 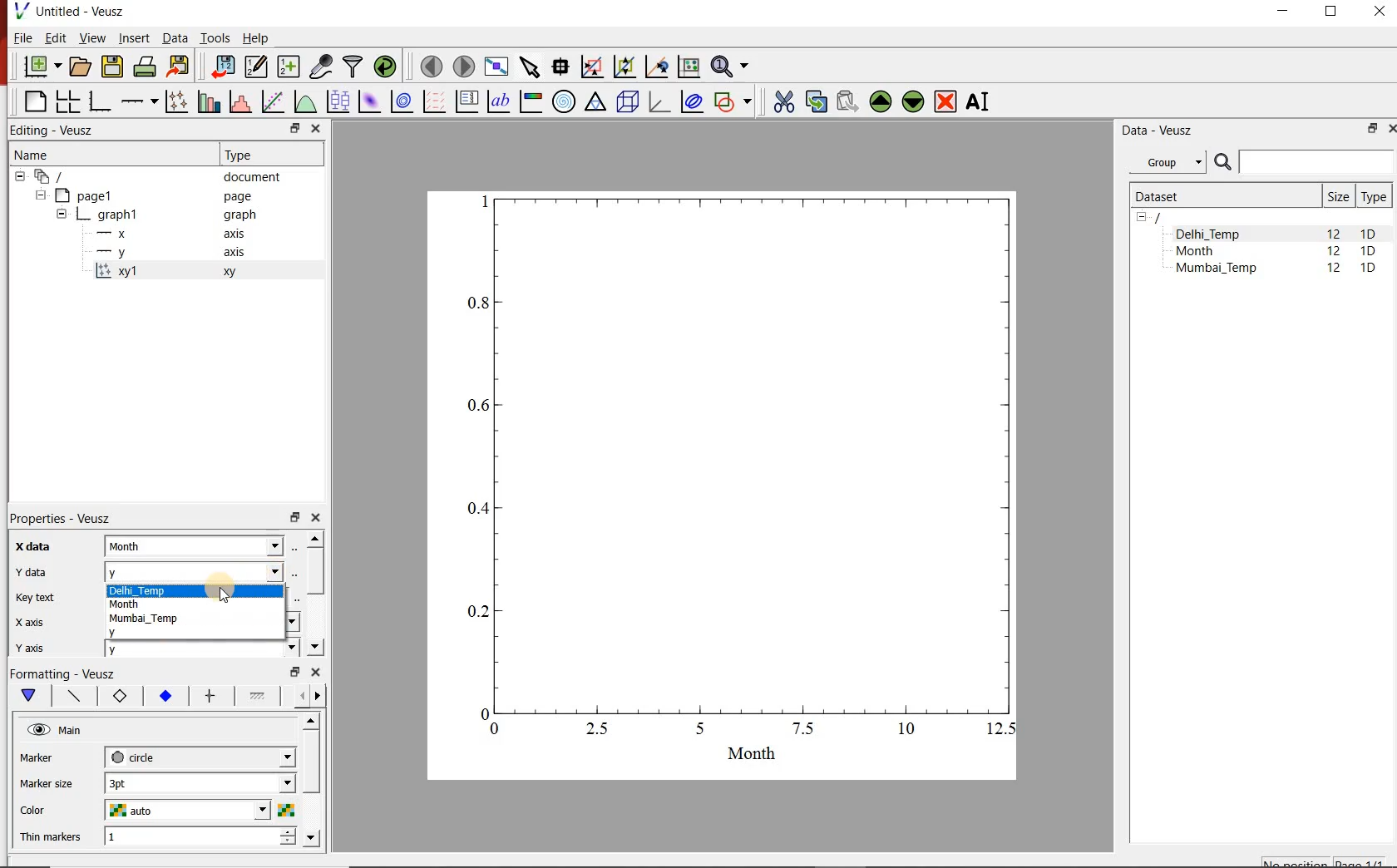 I want to click on create new datasets using available options, so click(x=289, y=67).